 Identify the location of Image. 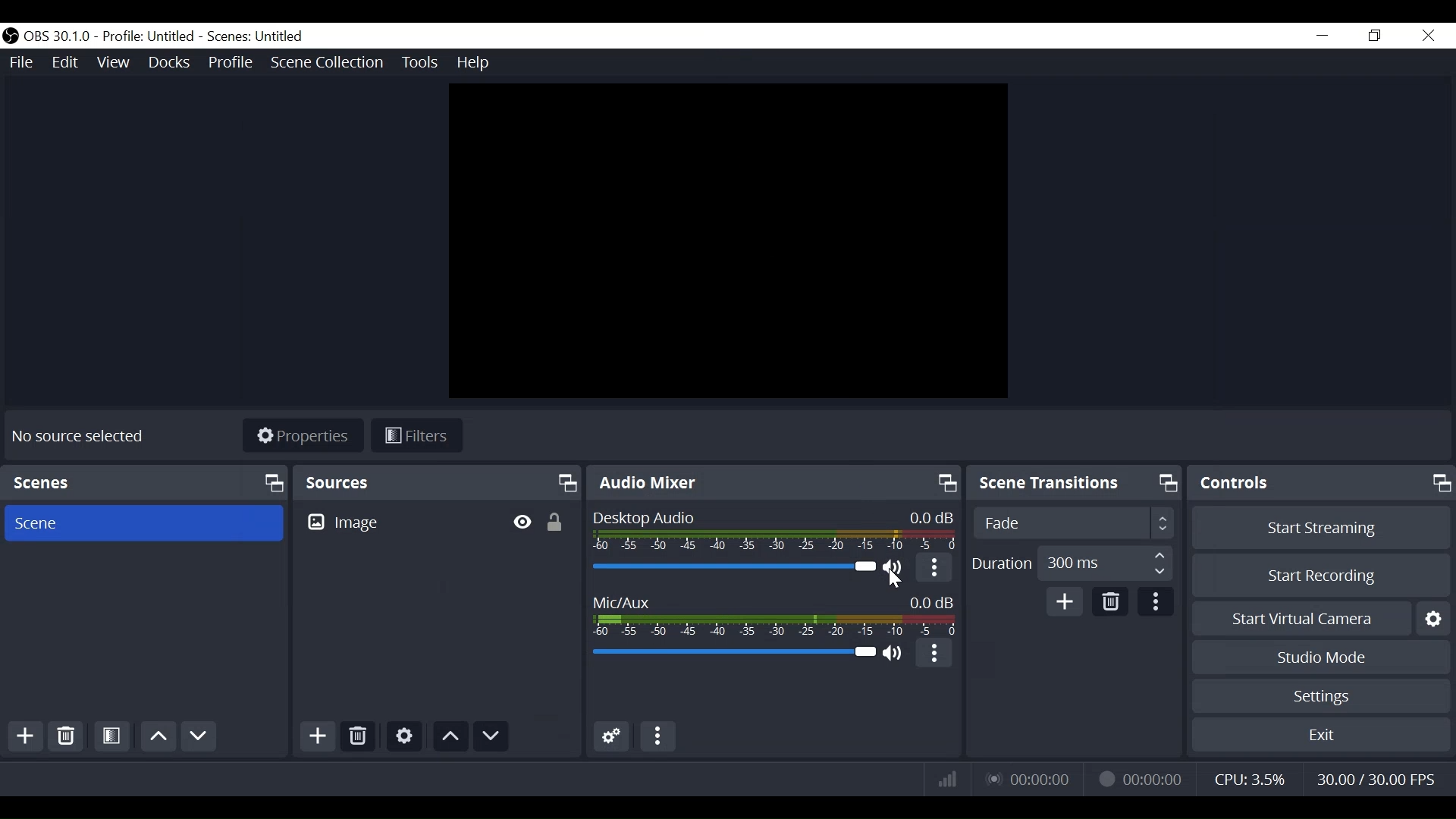
(347, 524).